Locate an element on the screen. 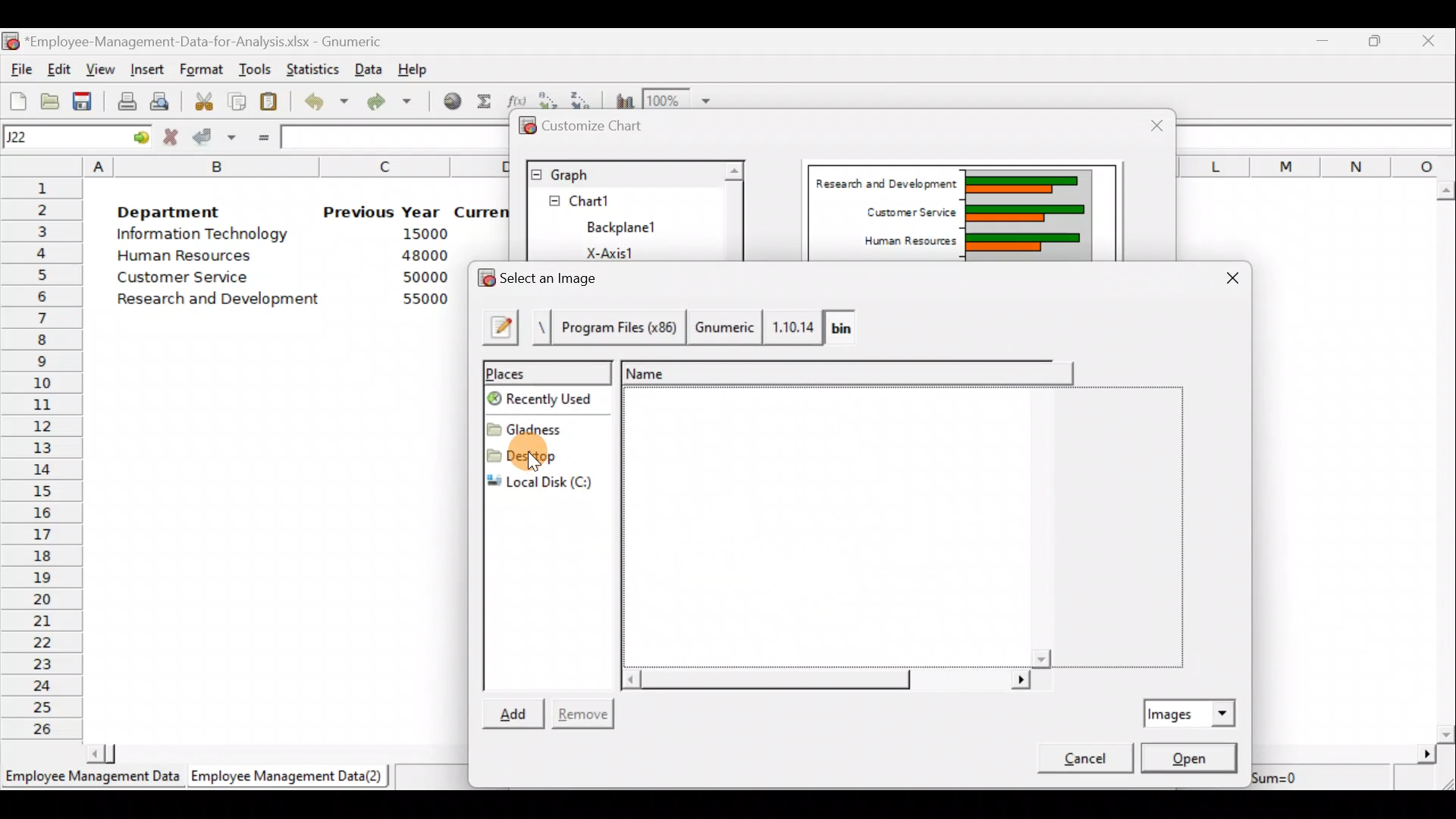  Accept change is located at coordinates (214, 139).